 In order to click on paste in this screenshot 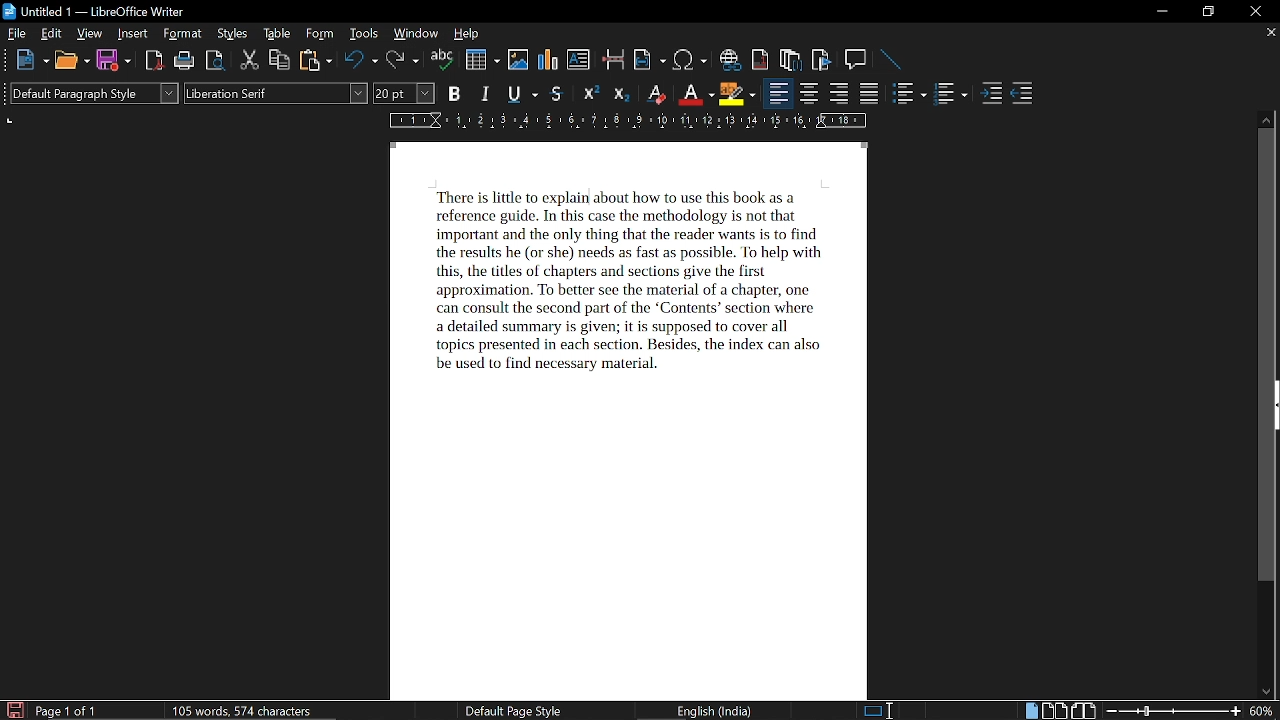, I will do `click(315, 62)`.